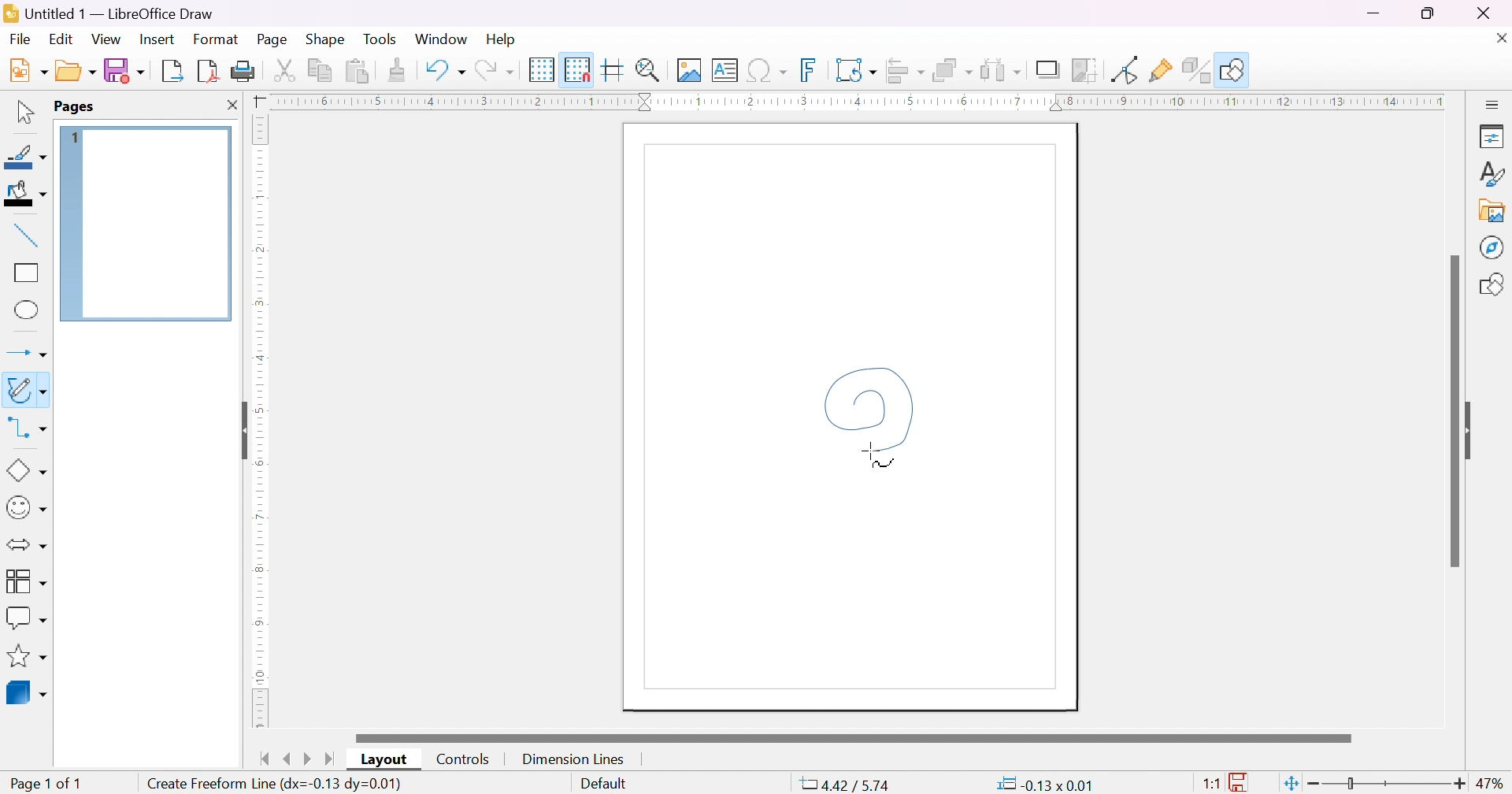 This screenshot has width=1512, height=794. I want to click on stars & banners, so click(24, 655).